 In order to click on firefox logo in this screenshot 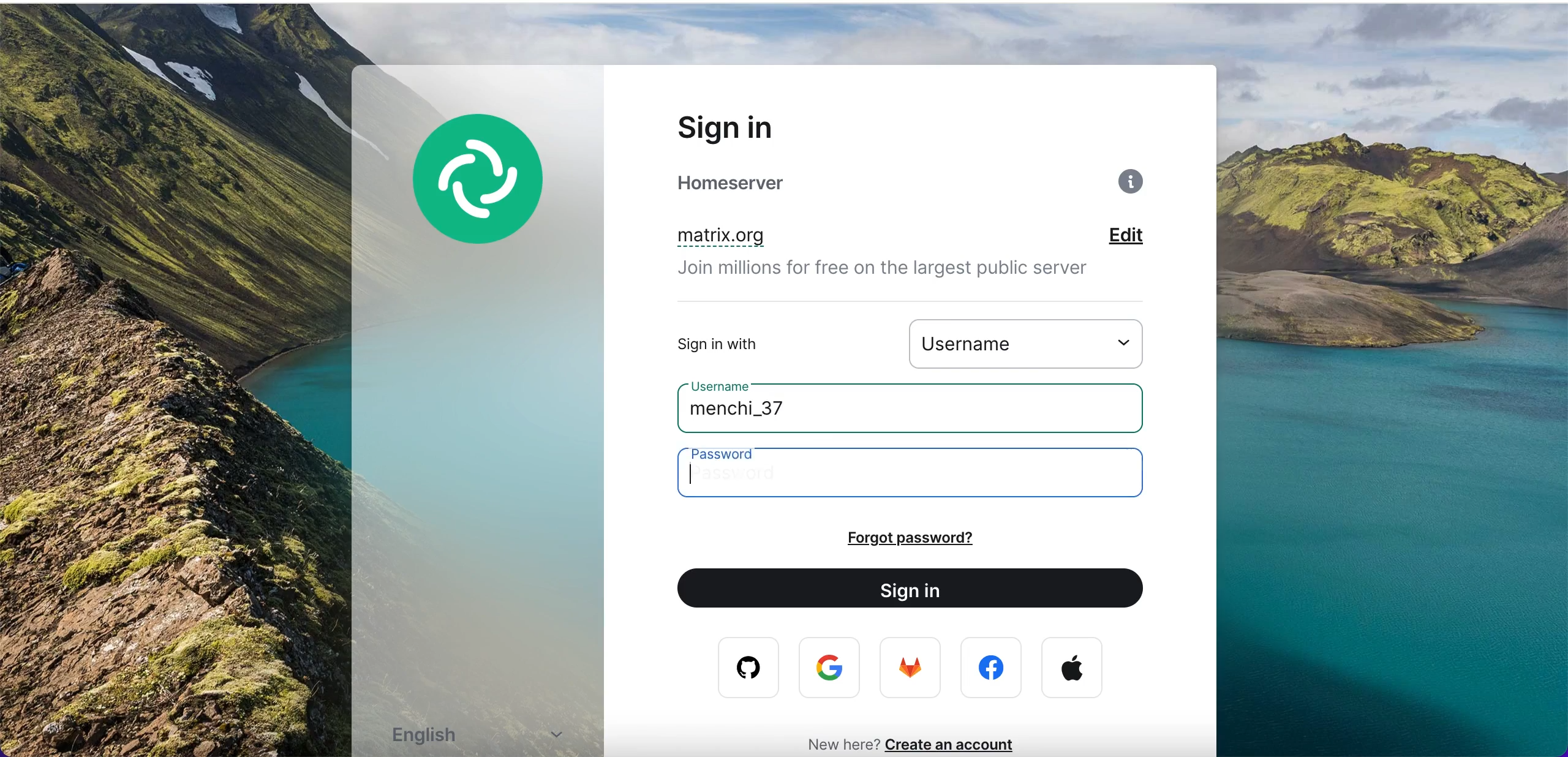, I will do `click(912, 671)`.